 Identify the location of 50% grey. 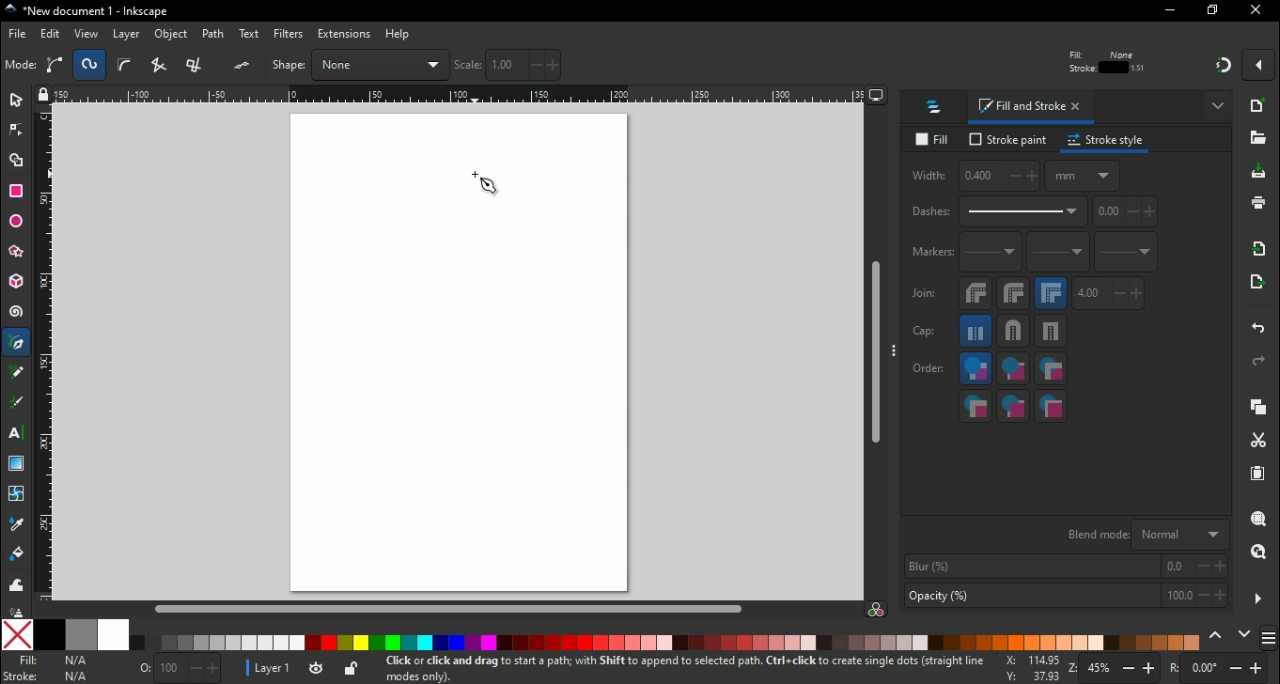
(79, 634).